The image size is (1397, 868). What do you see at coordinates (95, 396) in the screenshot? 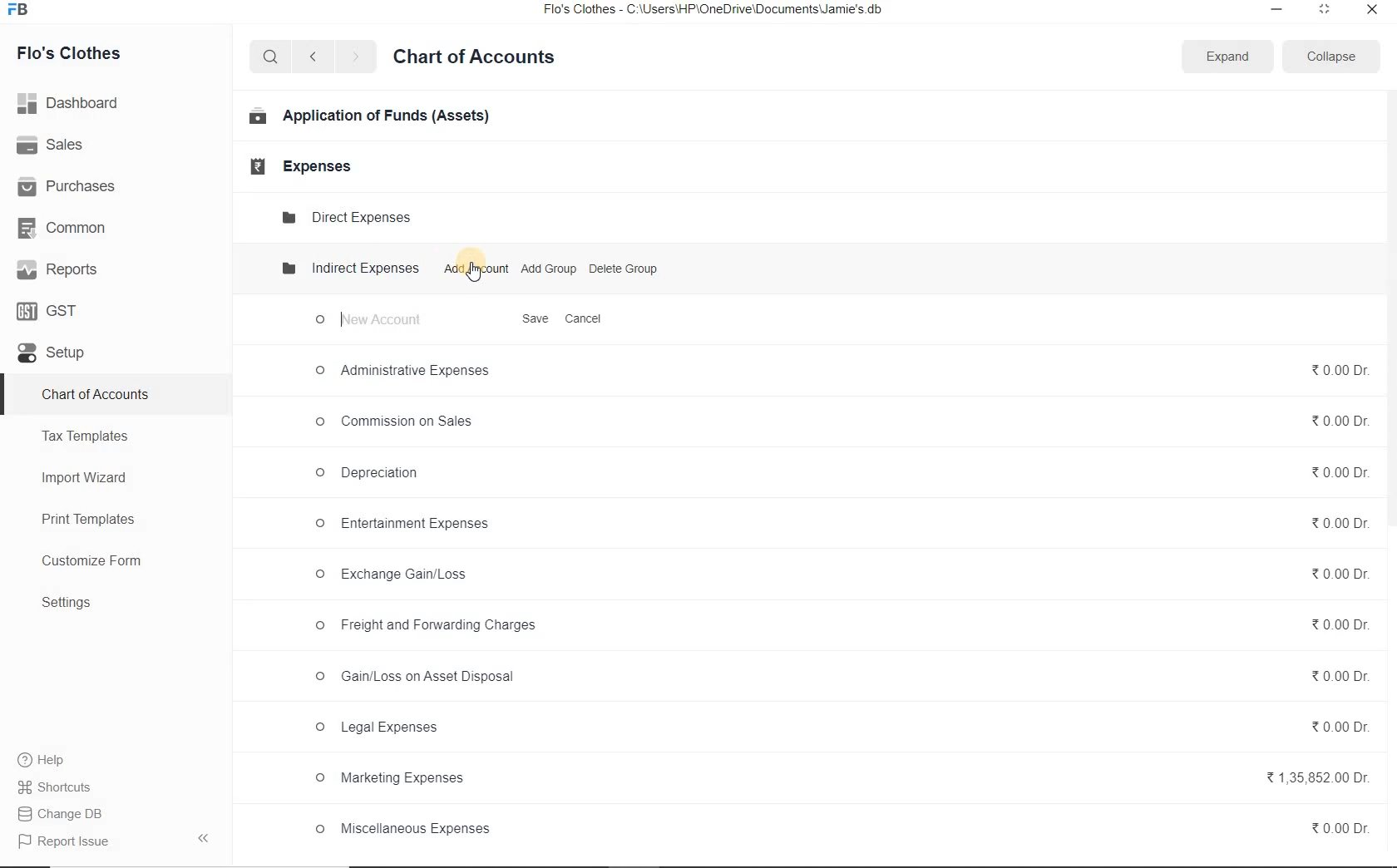
I see `Chart of Accounts` at bounding box center [95, 396].